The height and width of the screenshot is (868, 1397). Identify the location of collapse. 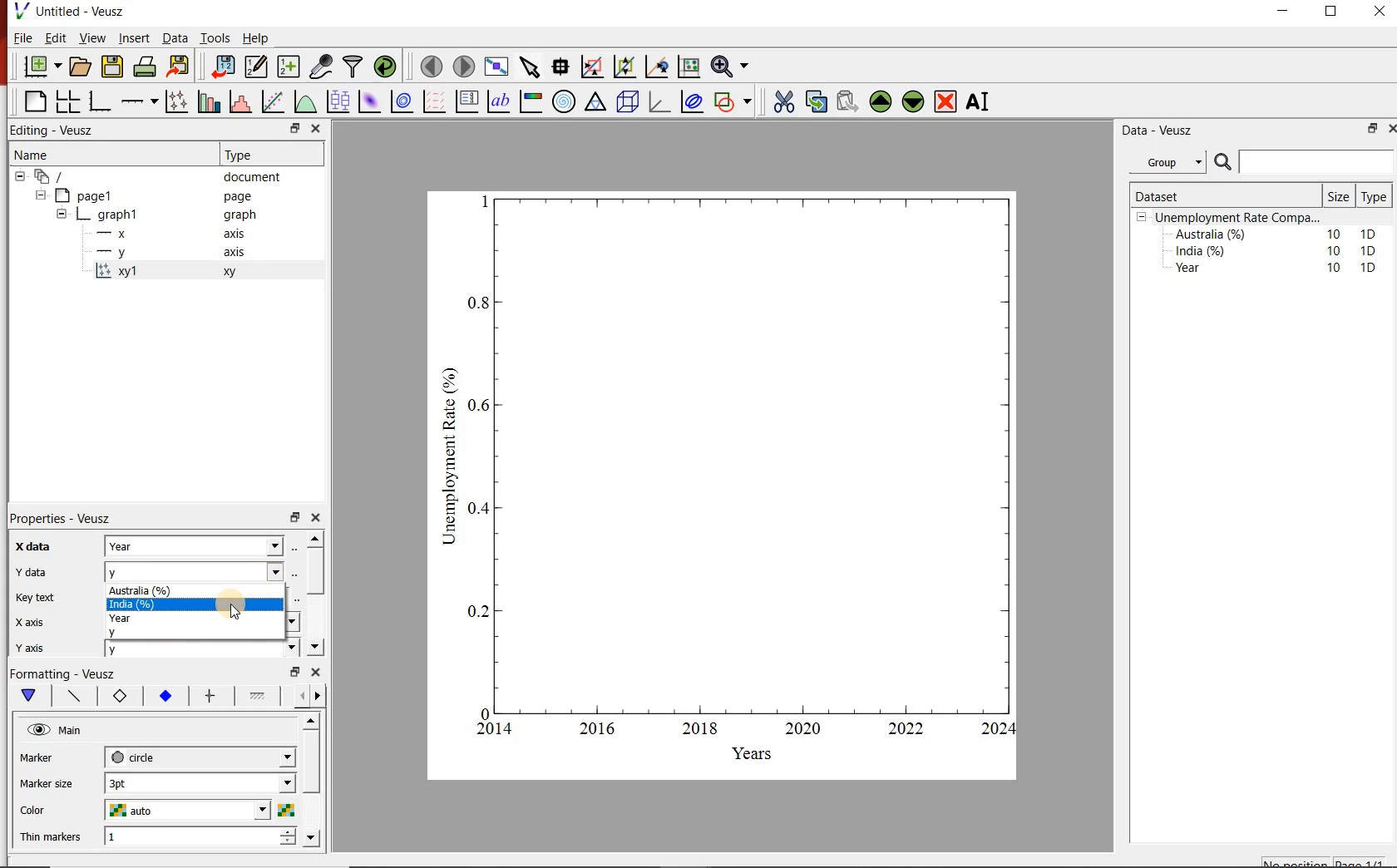
(61, 216).